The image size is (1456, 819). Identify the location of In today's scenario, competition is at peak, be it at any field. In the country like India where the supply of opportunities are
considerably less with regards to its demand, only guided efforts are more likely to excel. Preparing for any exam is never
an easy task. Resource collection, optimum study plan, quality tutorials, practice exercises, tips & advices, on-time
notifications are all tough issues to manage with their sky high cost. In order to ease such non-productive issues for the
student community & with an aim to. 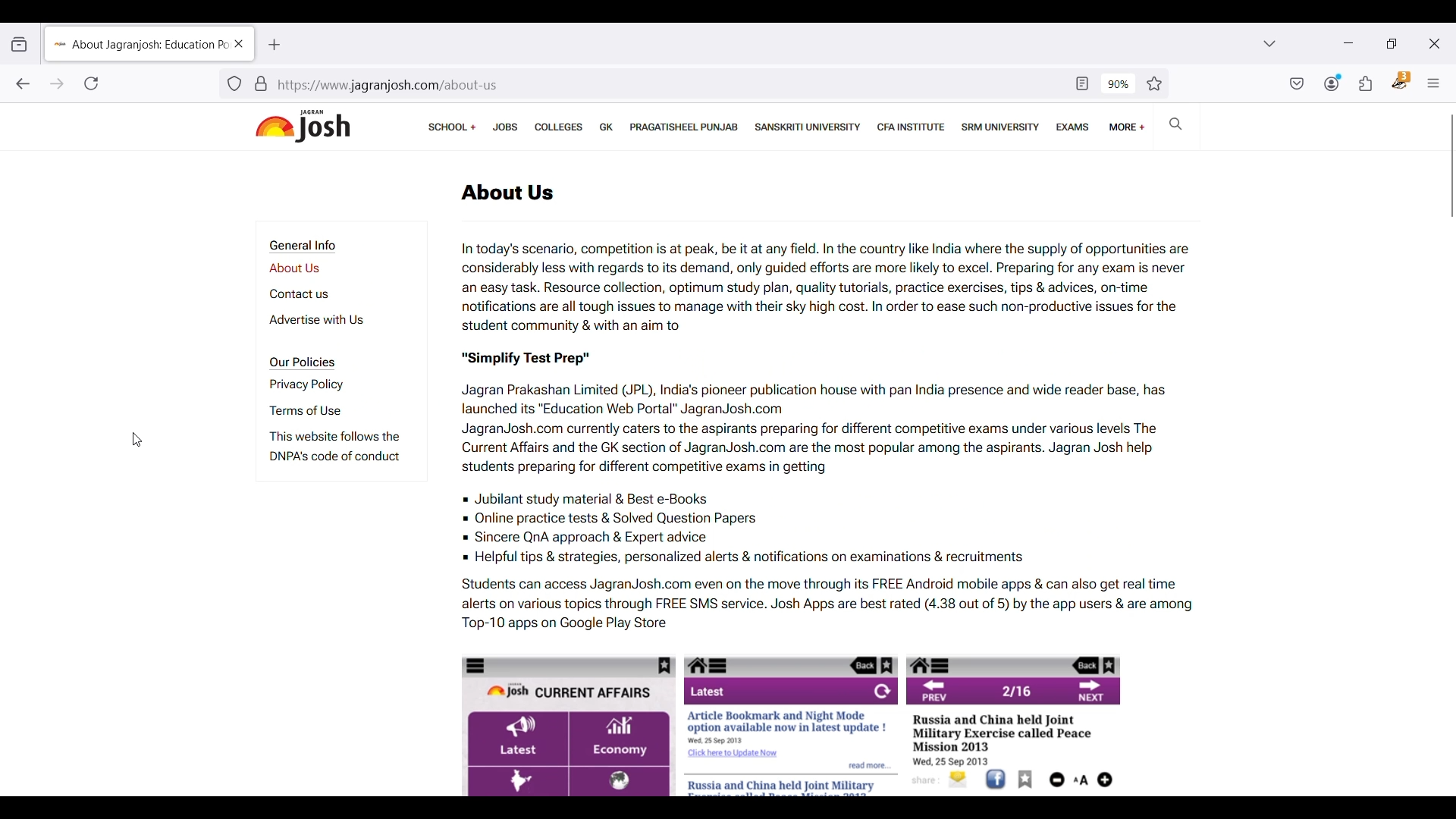
(827, 283).